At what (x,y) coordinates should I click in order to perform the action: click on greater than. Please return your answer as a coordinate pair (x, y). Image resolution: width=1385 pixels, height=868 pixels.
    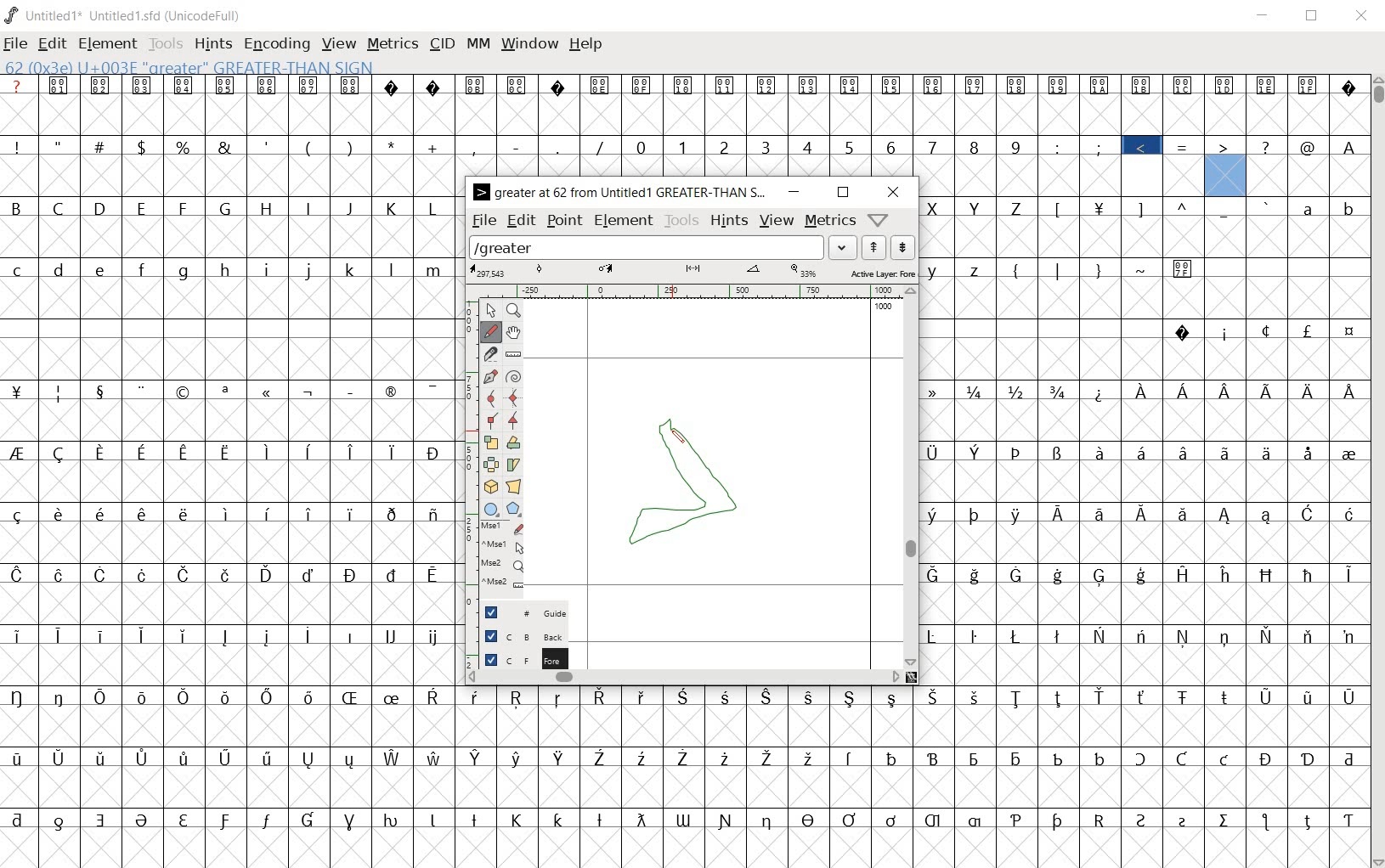
    Looking at the image, I should click on (1225, 166).